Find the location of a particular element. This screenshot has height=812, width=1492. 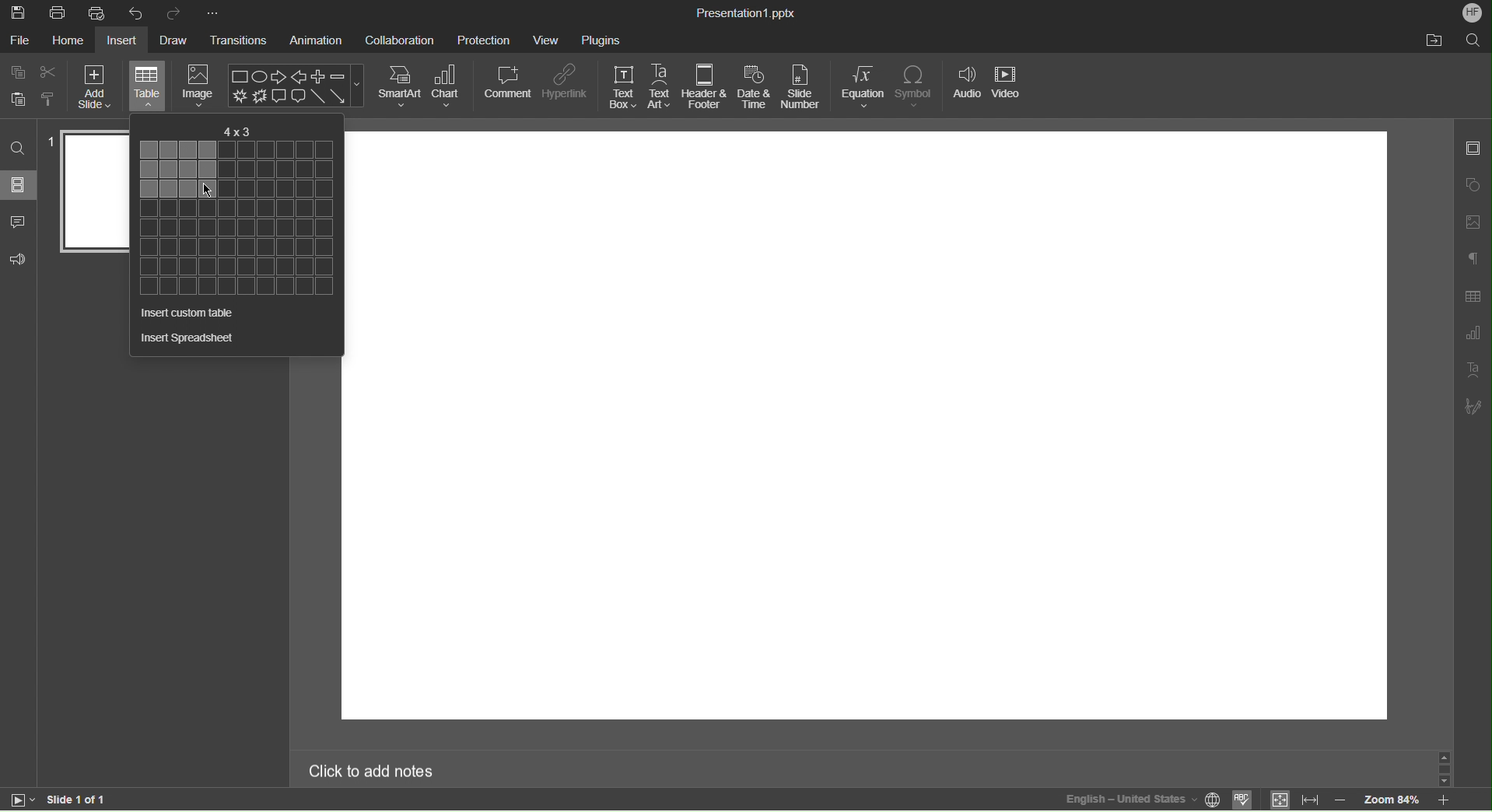

Paragraph Settings is located at coordinates (1473, 260).